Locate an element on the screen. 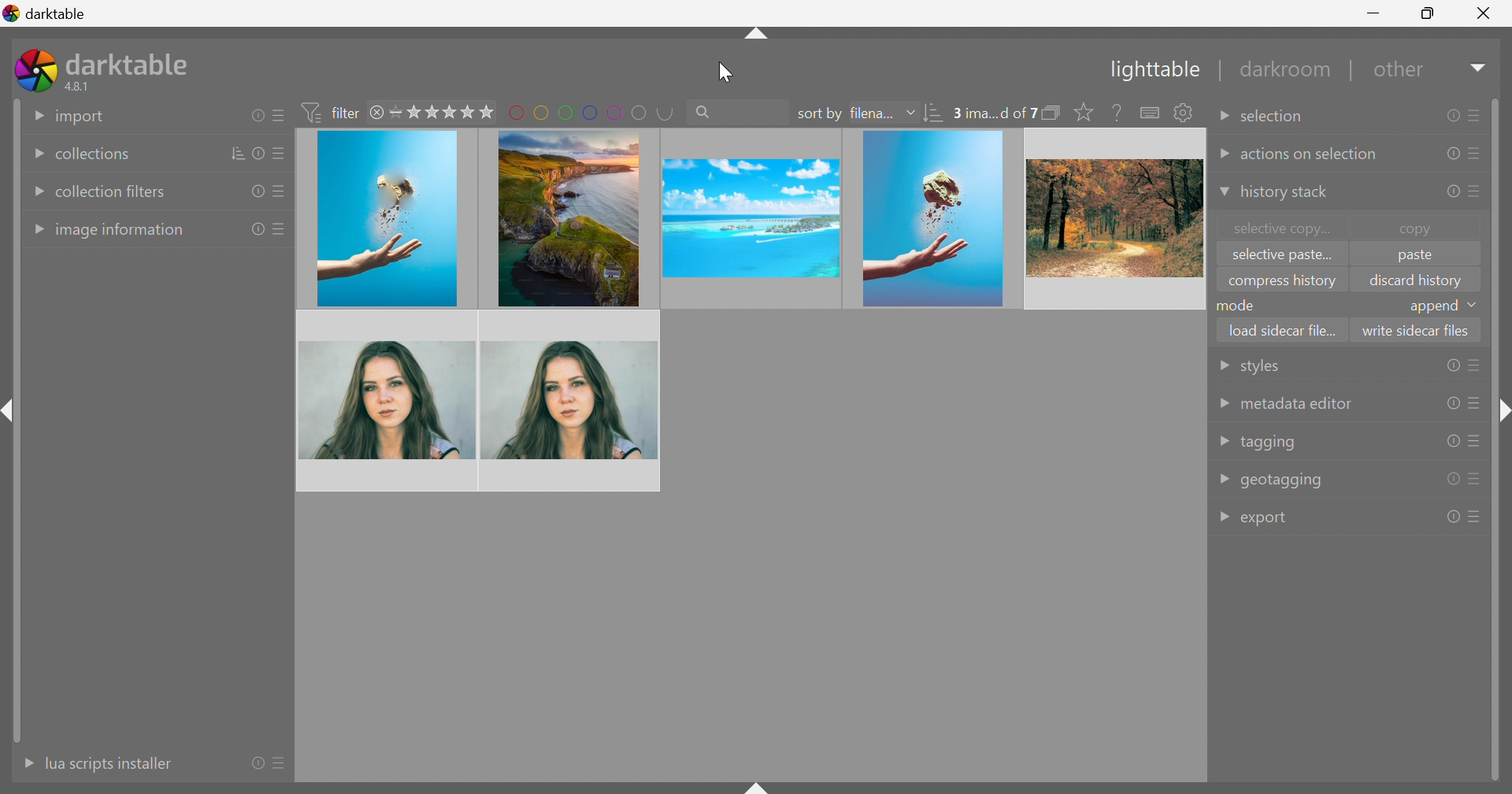 The width and height of the screenshot is (1512, 794). close is located at coordinates (379, 114).